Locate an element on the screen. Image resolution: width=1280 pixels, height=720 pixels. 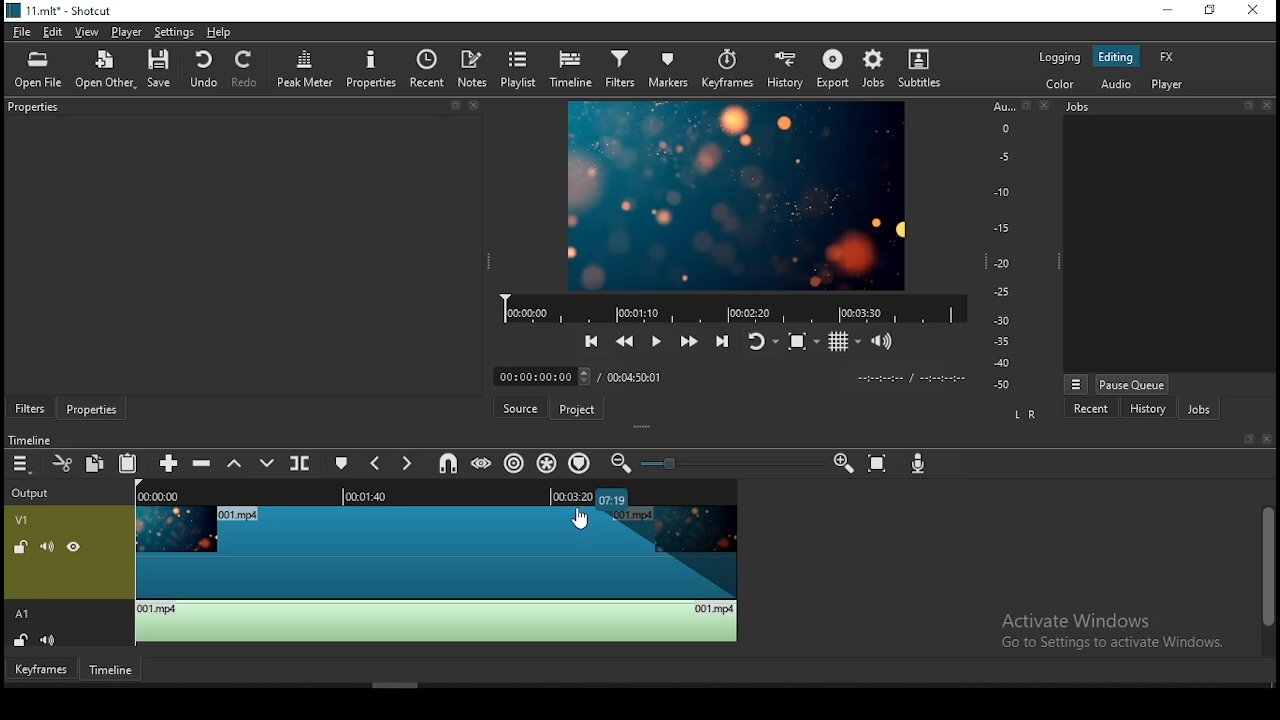
toggle zoom is located at coordinates (800, 345).